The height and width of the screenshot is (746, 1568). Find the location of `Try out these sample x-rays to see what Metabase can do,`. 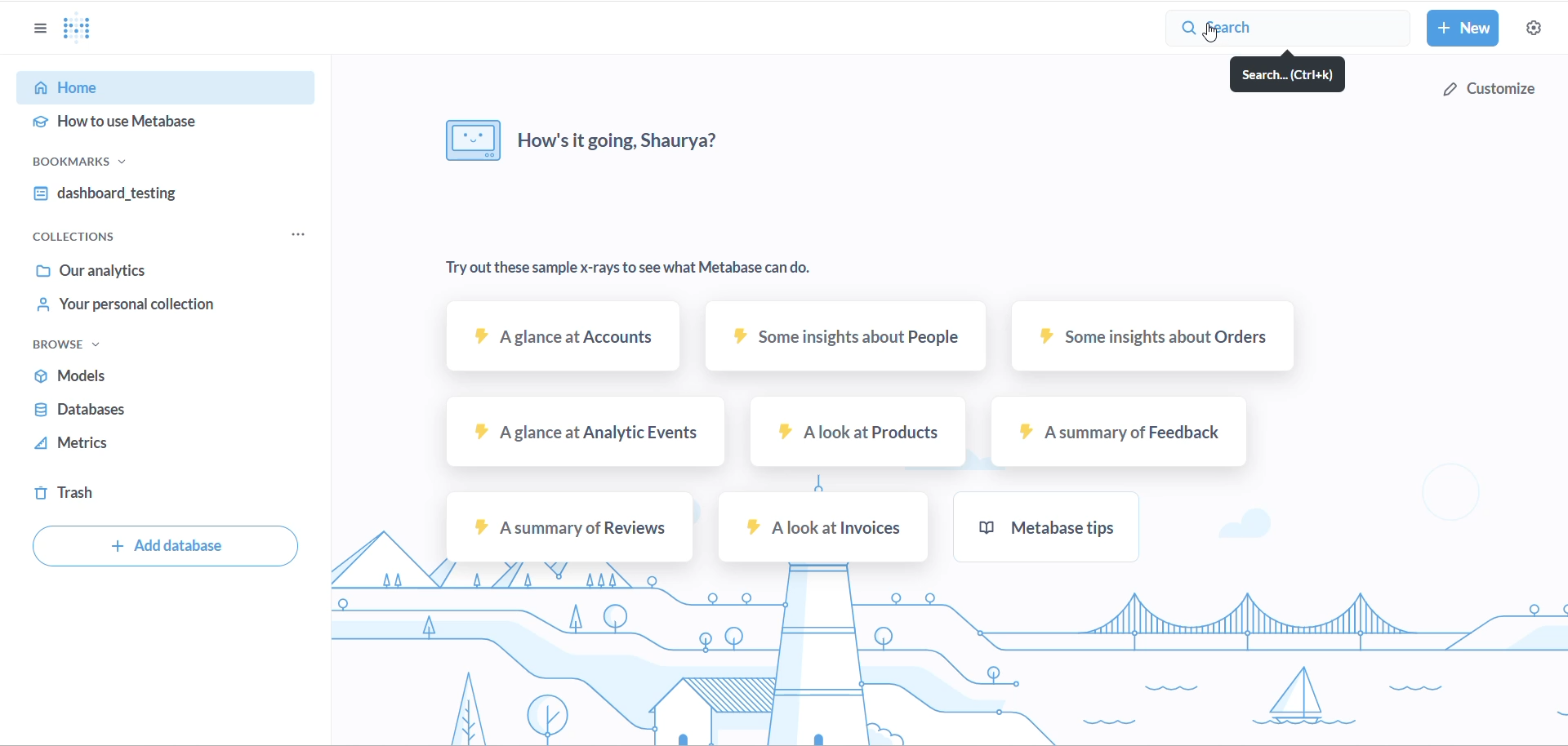

Try out these sample x-rays to see what Metabase can do, is located at coordinates (656, 269).